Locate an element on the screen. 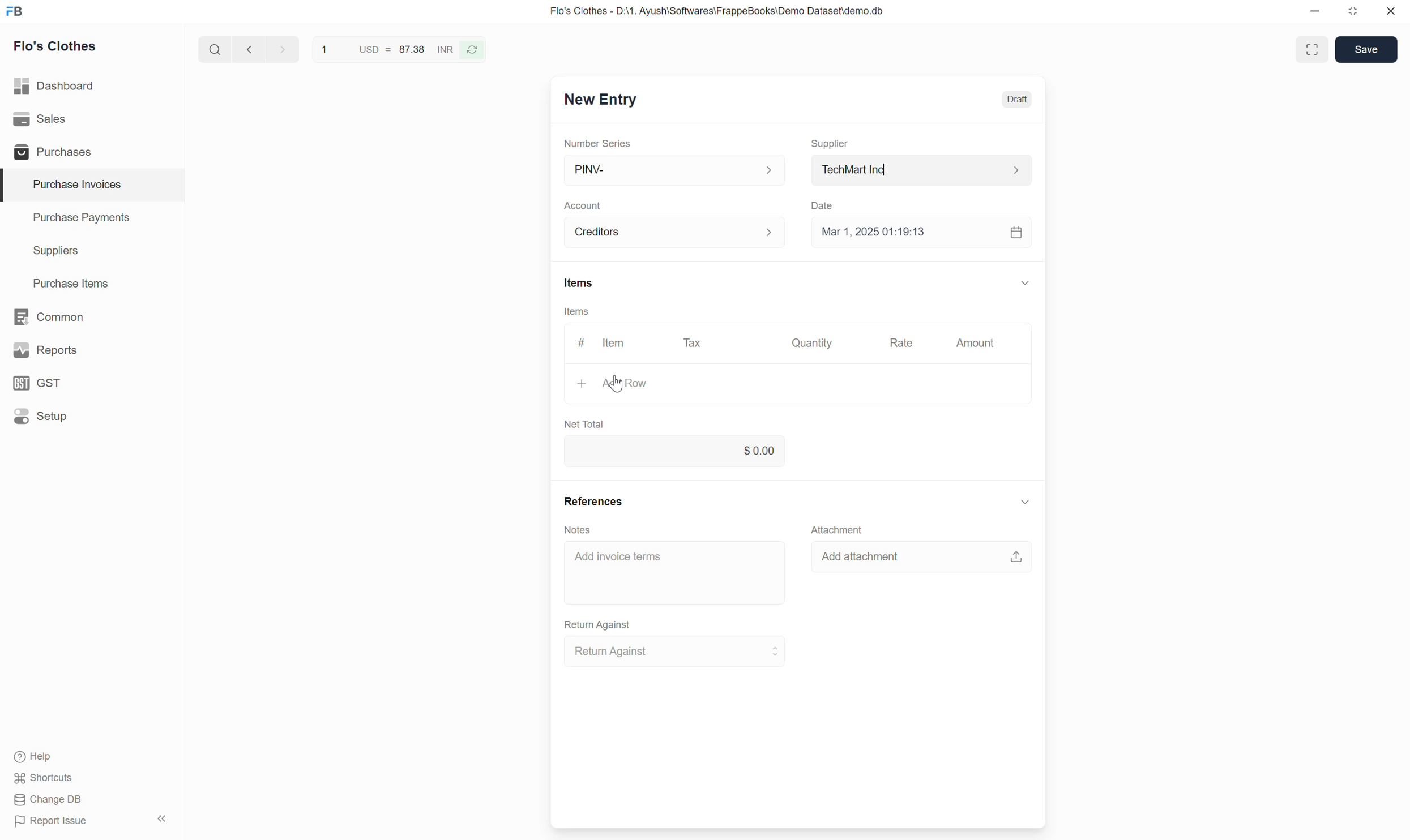 Image resolution: width=1410 pixels, height=840 pixels. Purchases is located at coordinates (50, 152).